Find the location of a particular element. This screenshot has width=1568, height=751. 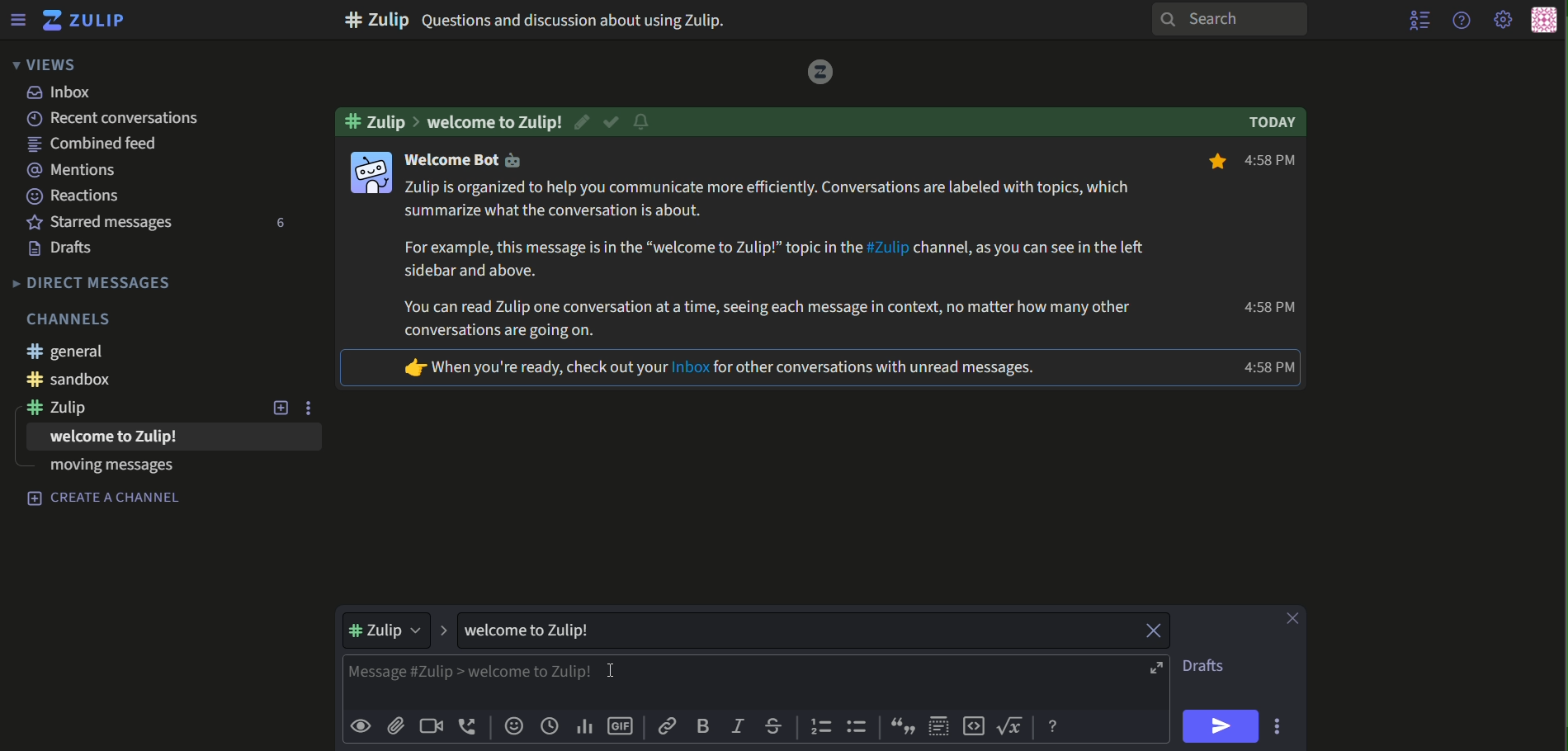

resolved is located at coordinates (612, 122).